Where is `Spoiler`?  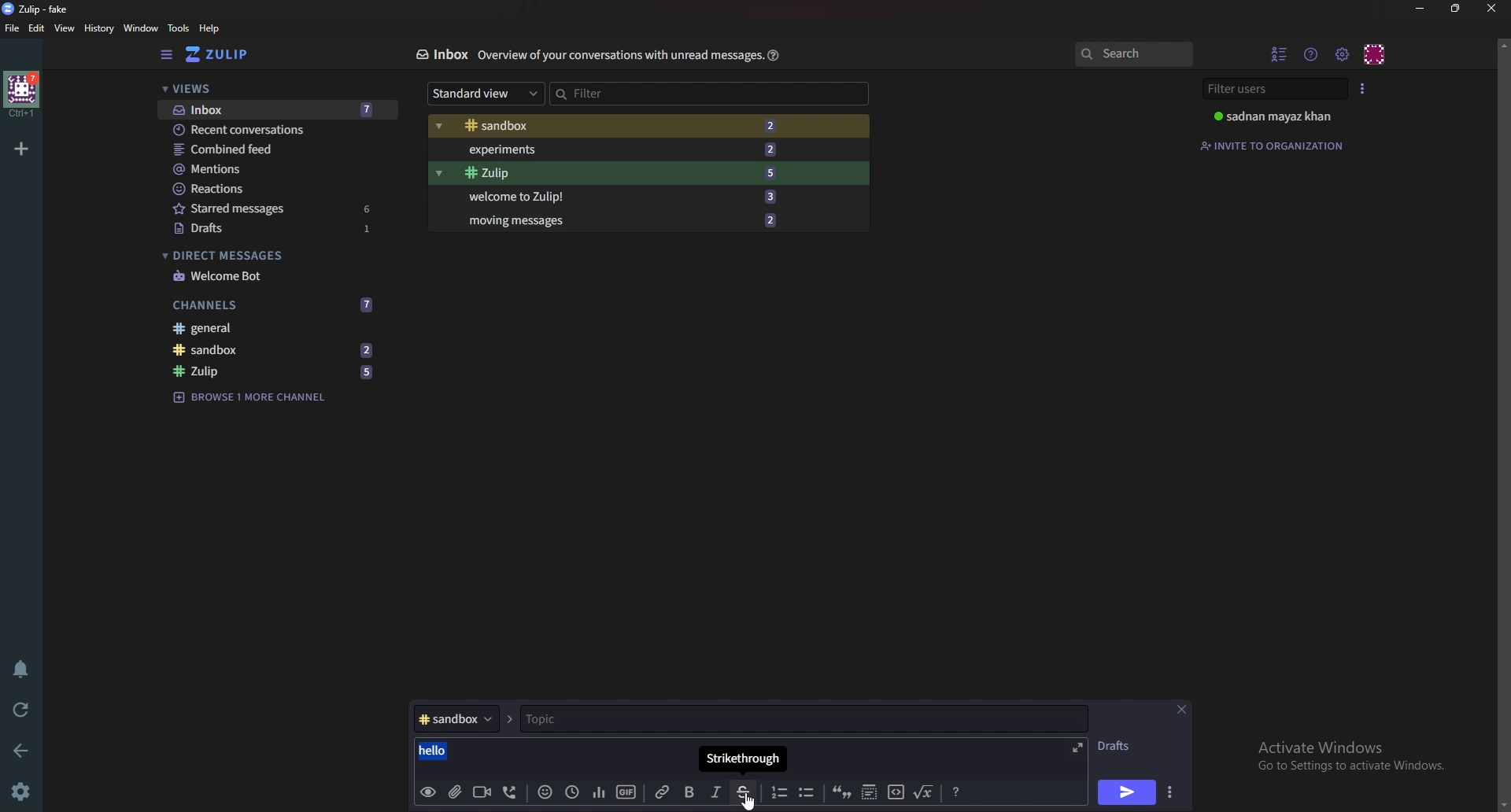
Spoiler is located at coordinates (870, 793).